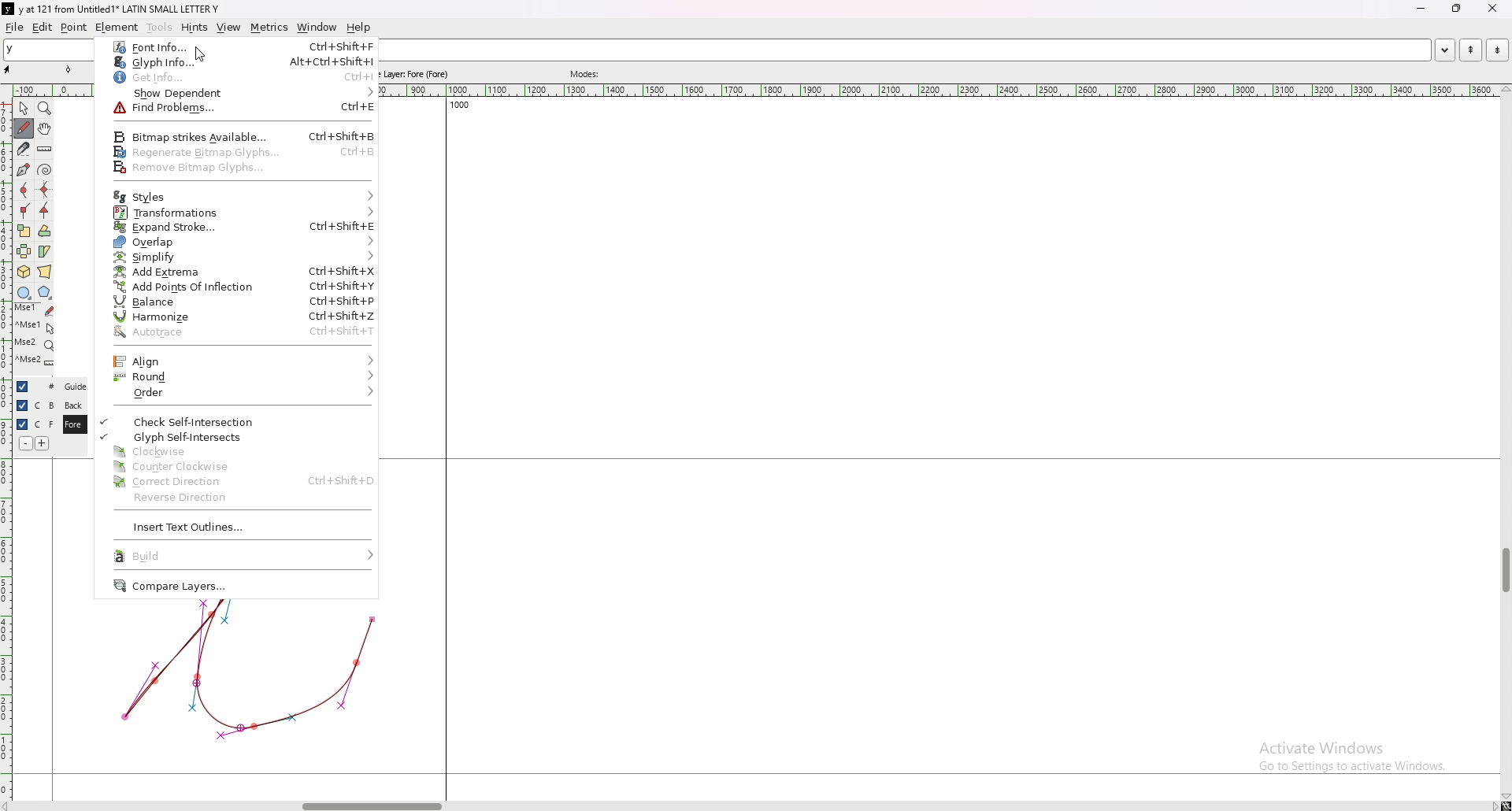 This screenshot has height=811, width=1512. What do you see at coordinates (235, 498) in the screenshot?
I see `reverse direction` at bounding box center [235, 498].